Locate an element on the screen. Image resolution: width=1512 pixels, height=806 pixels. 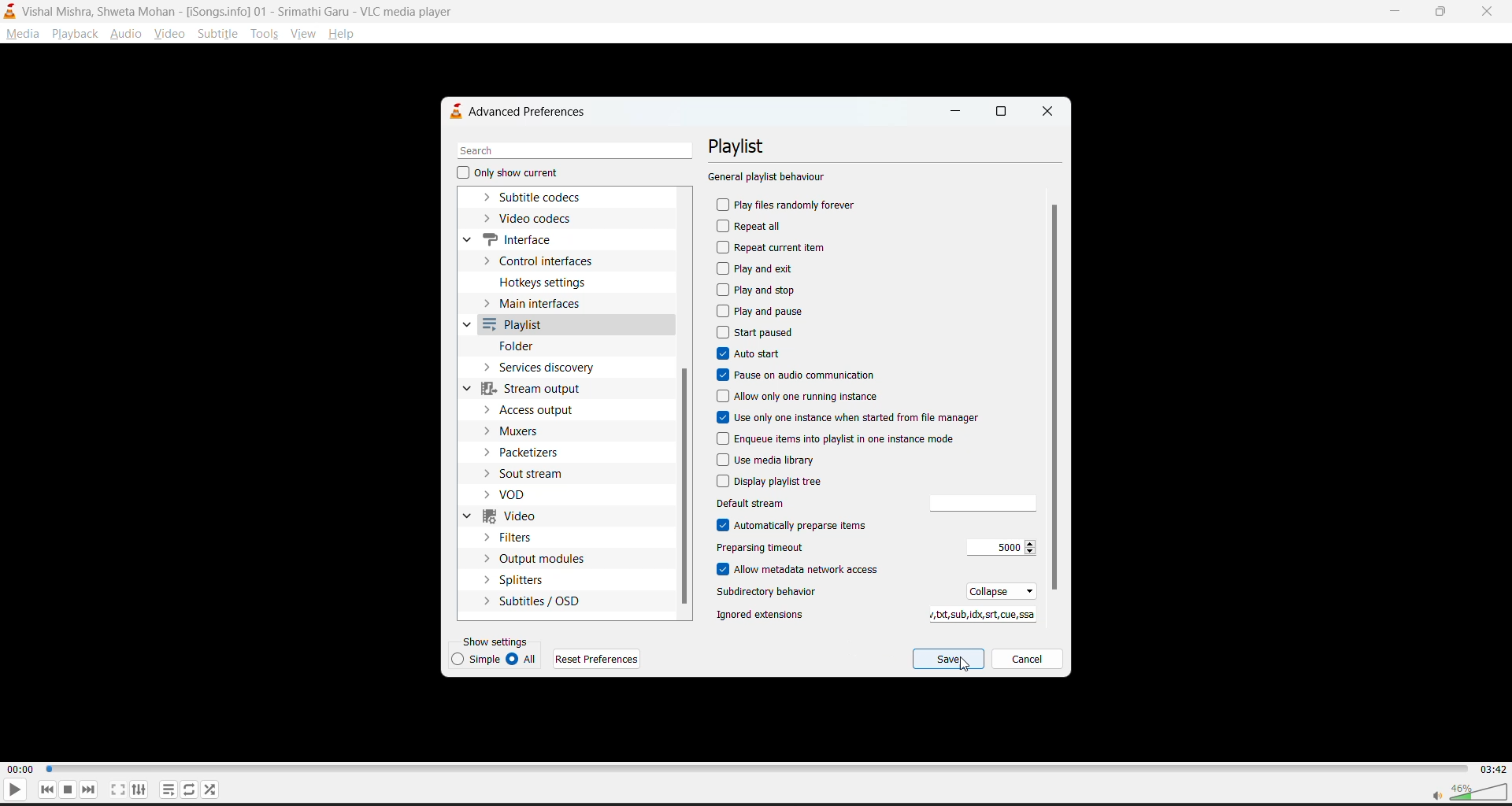
use only one instance when started from file manager is located at coordinates (845, 419).